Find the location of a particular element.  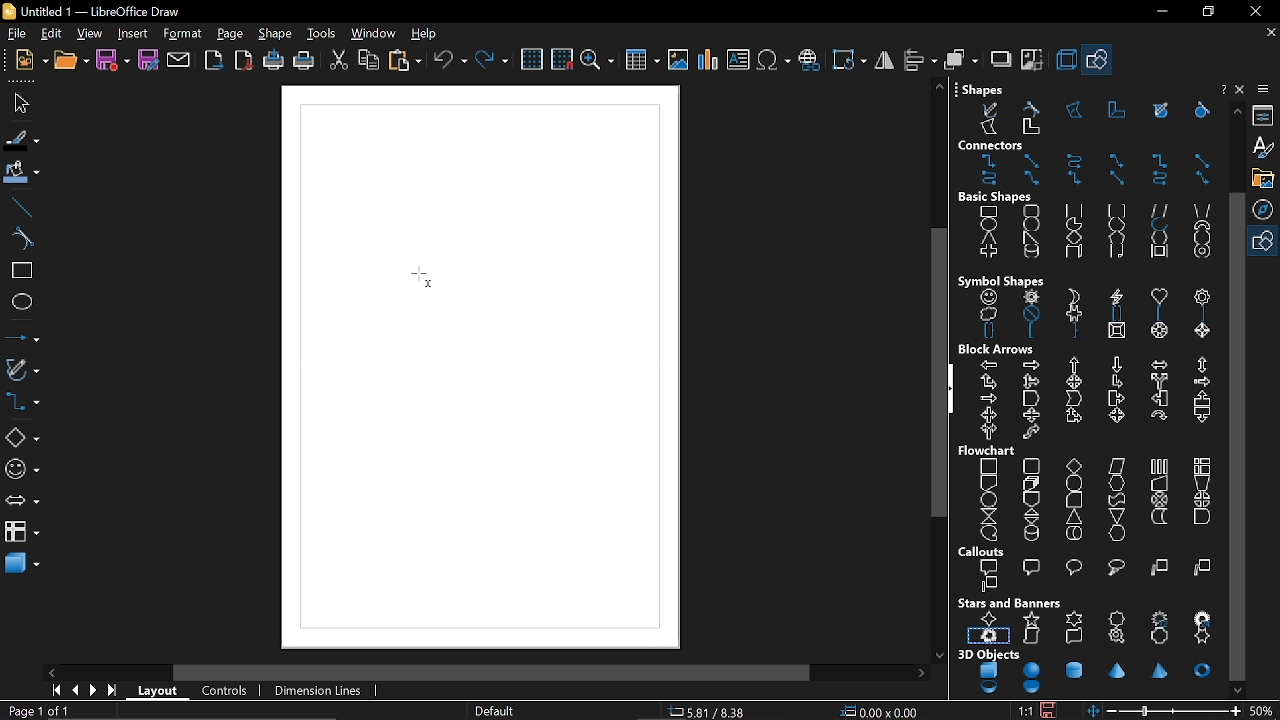

open is located at coordinates (72, 62).